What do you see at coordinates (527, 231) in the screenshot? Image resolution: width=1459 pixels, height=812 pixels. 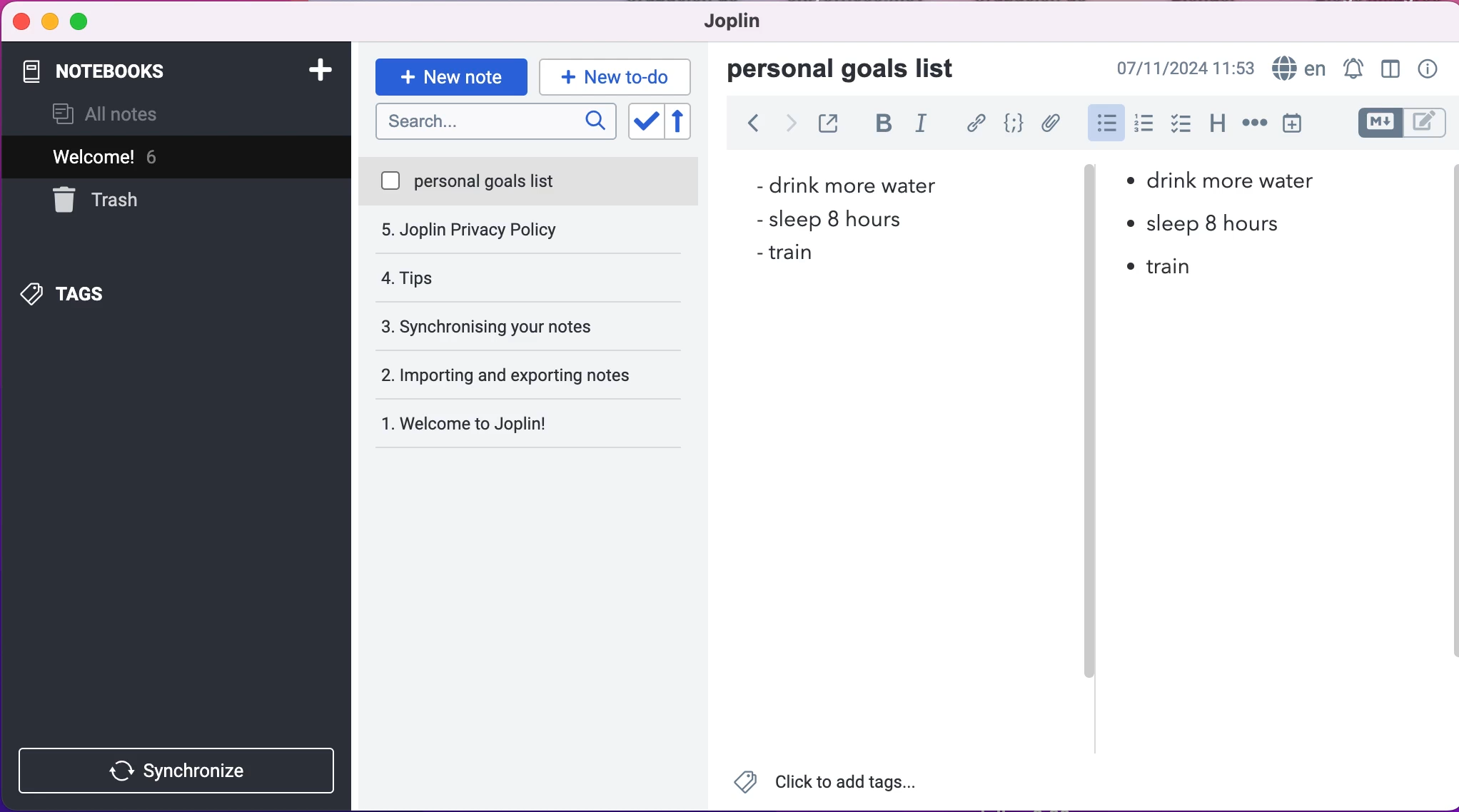 I see `tips` at bounding box center [527, 231].